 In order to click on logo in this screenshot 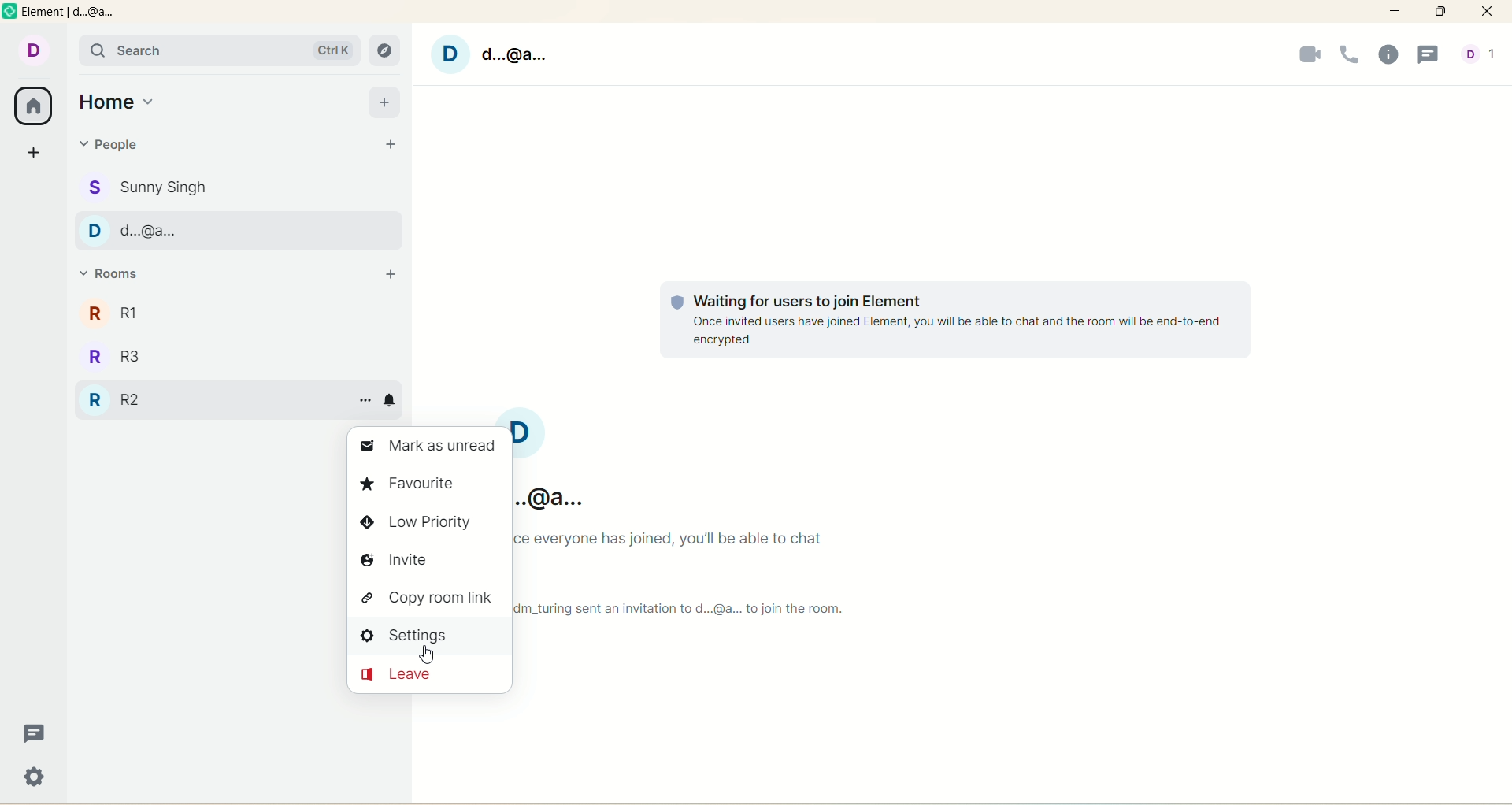, I will do `click(10, 14)`.